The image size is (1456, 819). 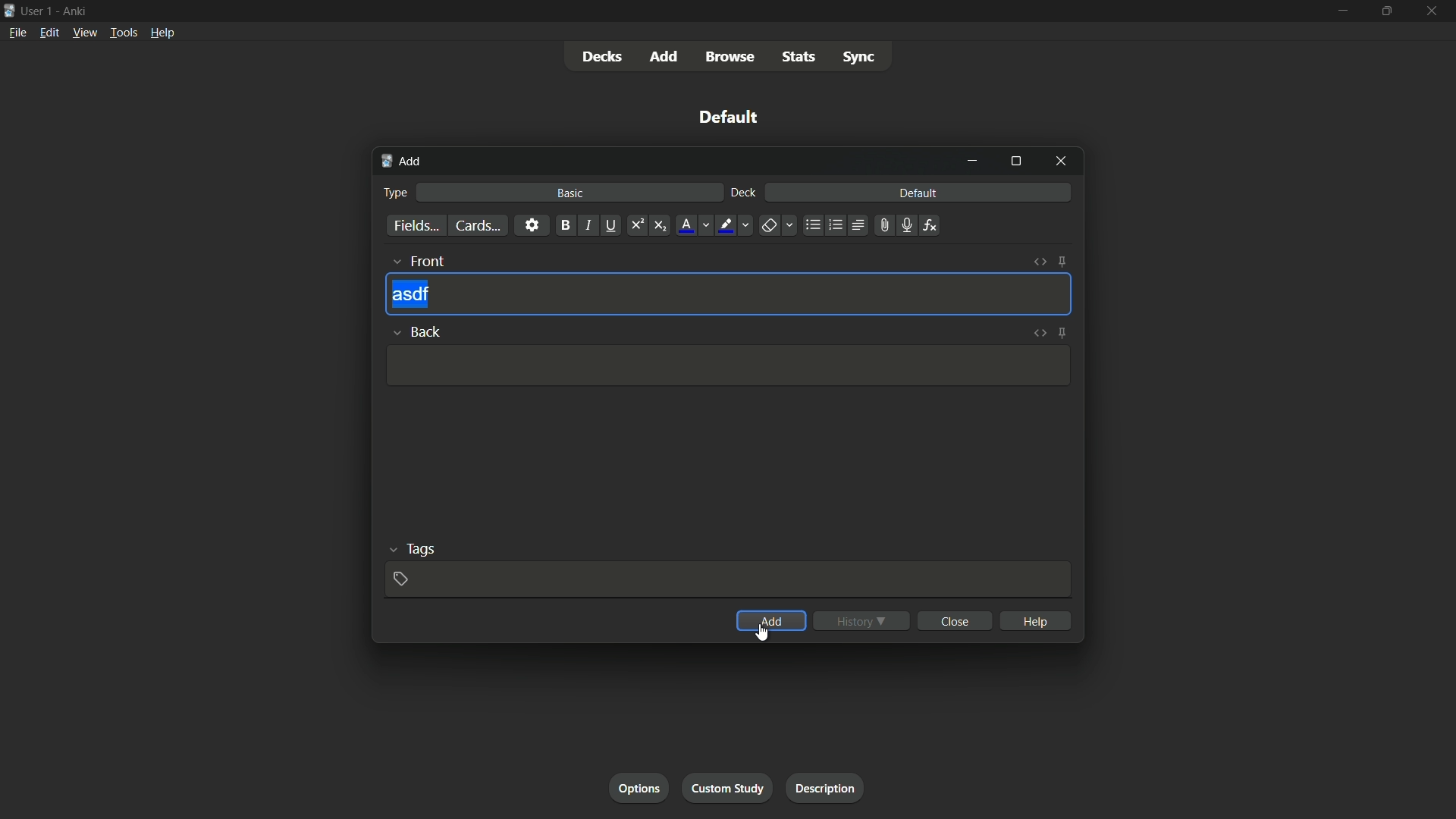 What do you see at coordinates (765, 631) in the screenshot?
I see `cursor` at bounding box center [765, 631].